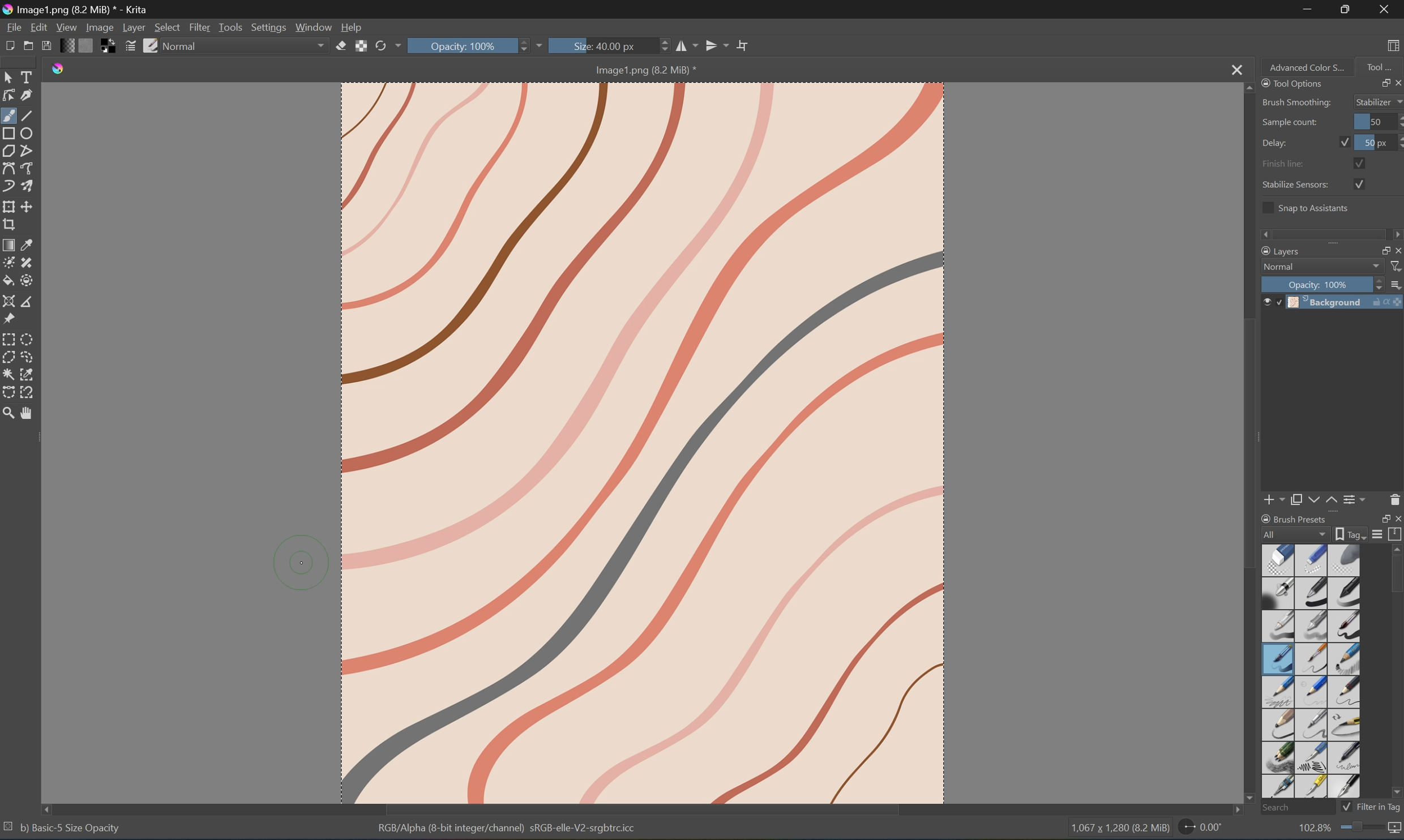 This screenshot has width=1404, height=840. What do you see at coordinates (200, 27) in the screenshot?
I see `Filter` at bounding box center [200, 27].